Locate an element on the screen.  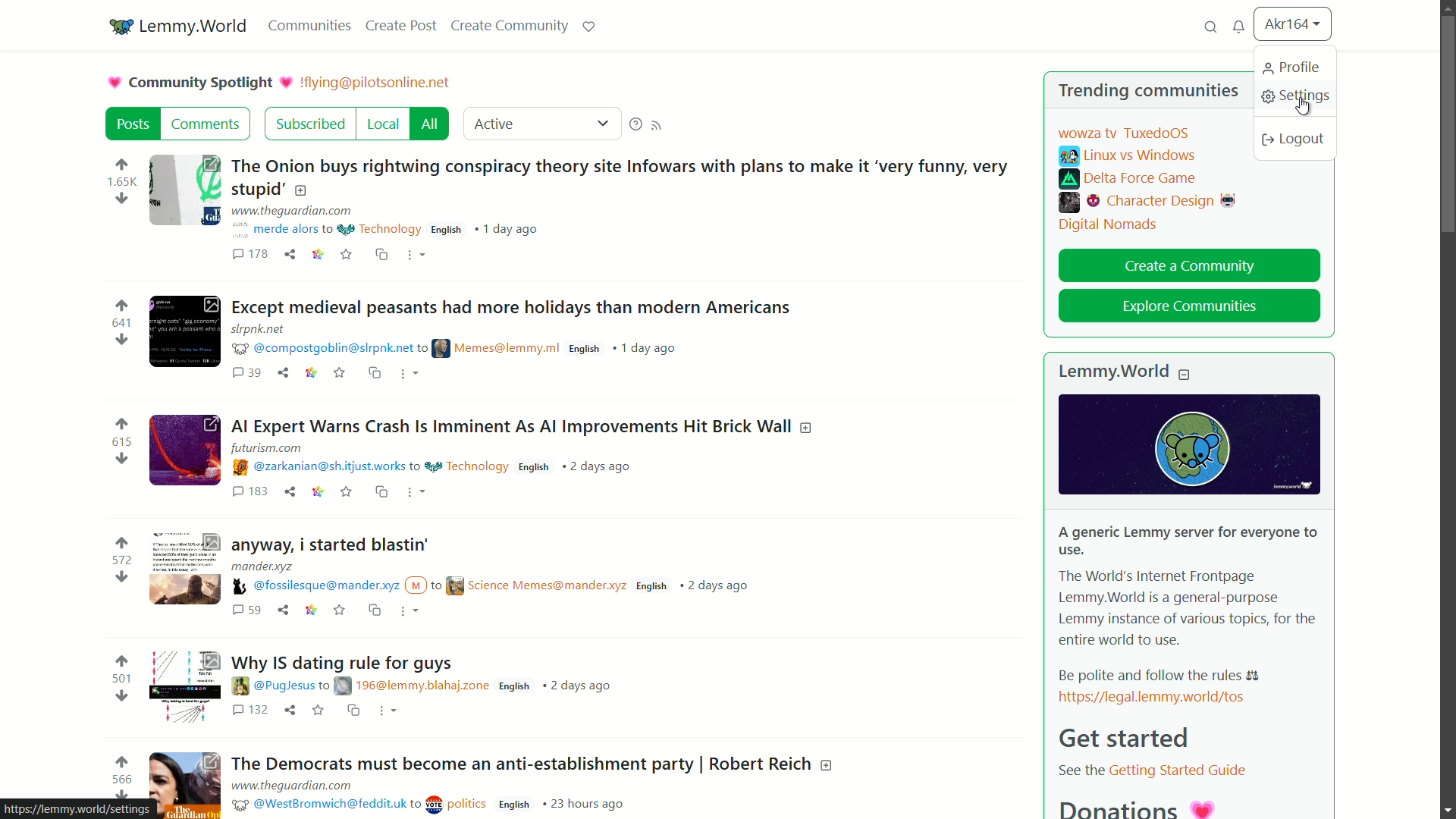
comments is located at coordinates (250, 253).